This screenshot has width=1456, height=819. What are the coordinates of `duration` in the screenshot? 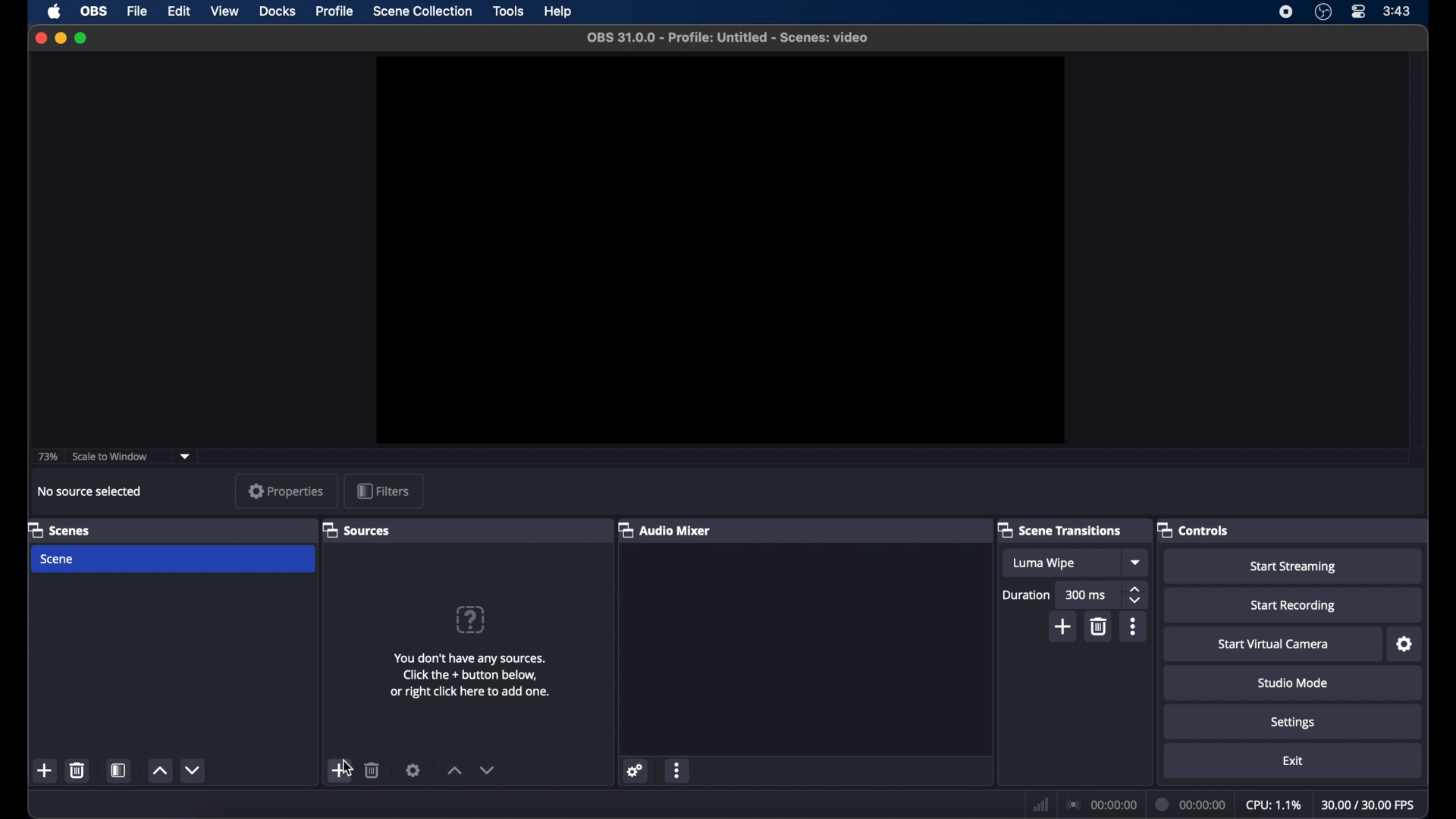 It's located at (1027, 596).